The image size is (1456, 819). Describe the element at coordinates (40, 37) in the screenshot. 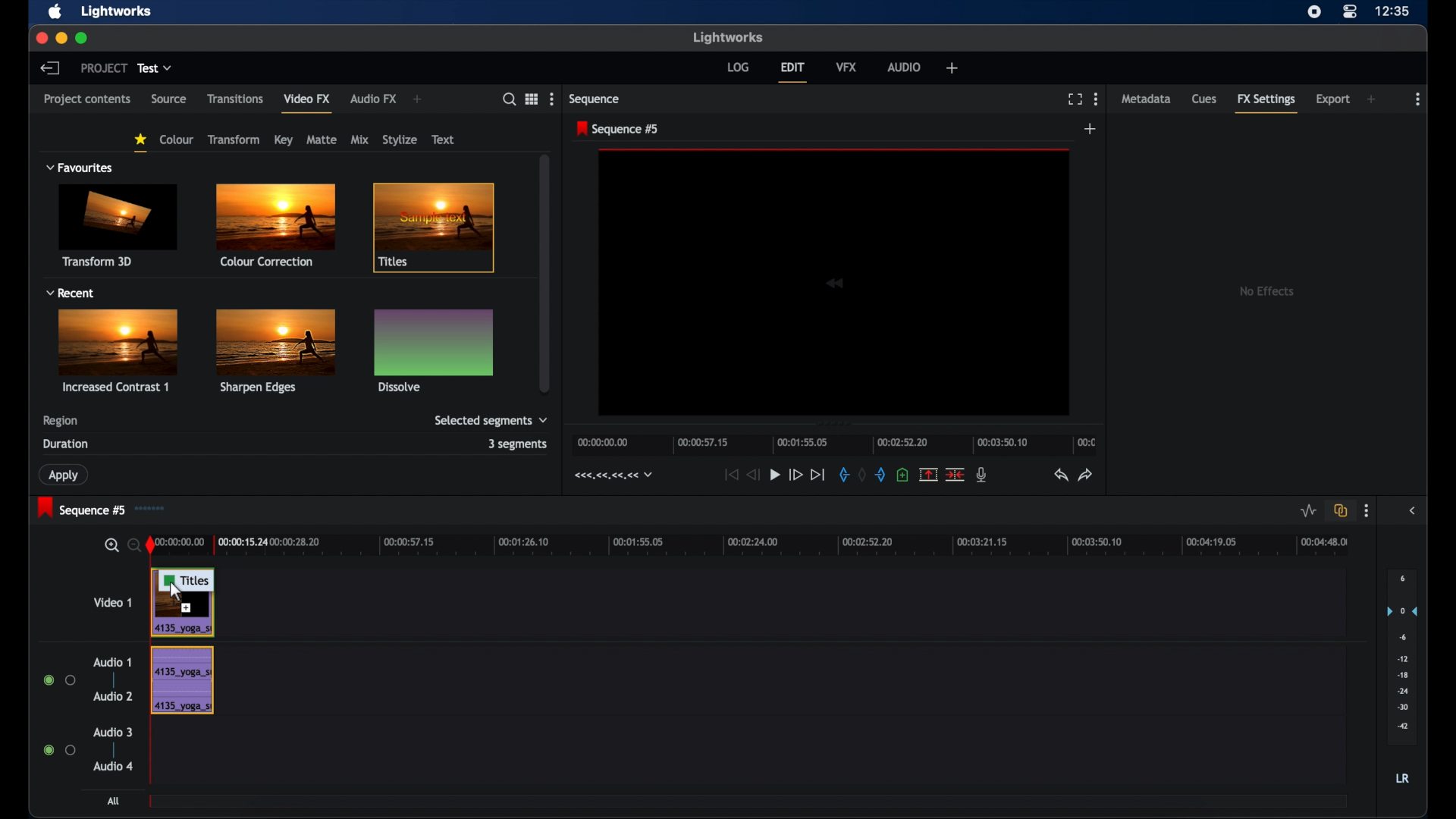

I see `close` at that location.